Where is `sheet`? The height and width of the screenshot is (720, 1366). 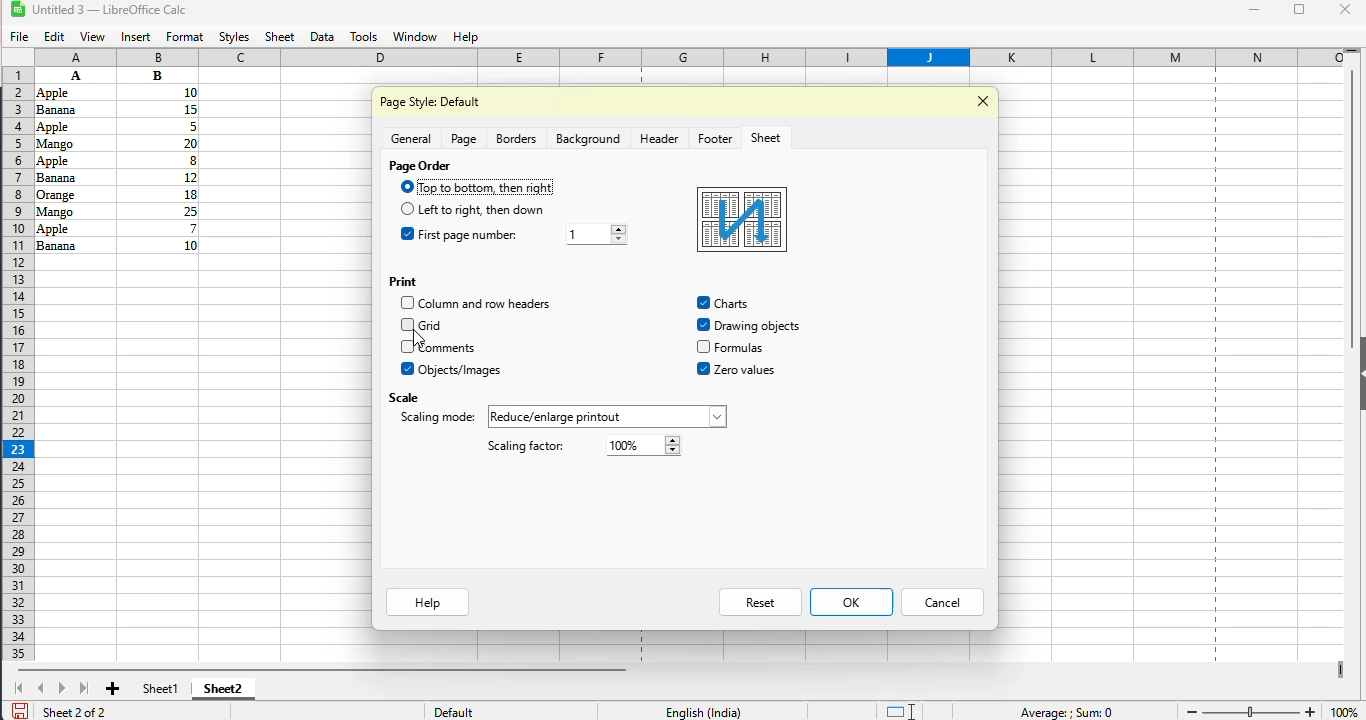
sheet is located at coordinates (280, 37).